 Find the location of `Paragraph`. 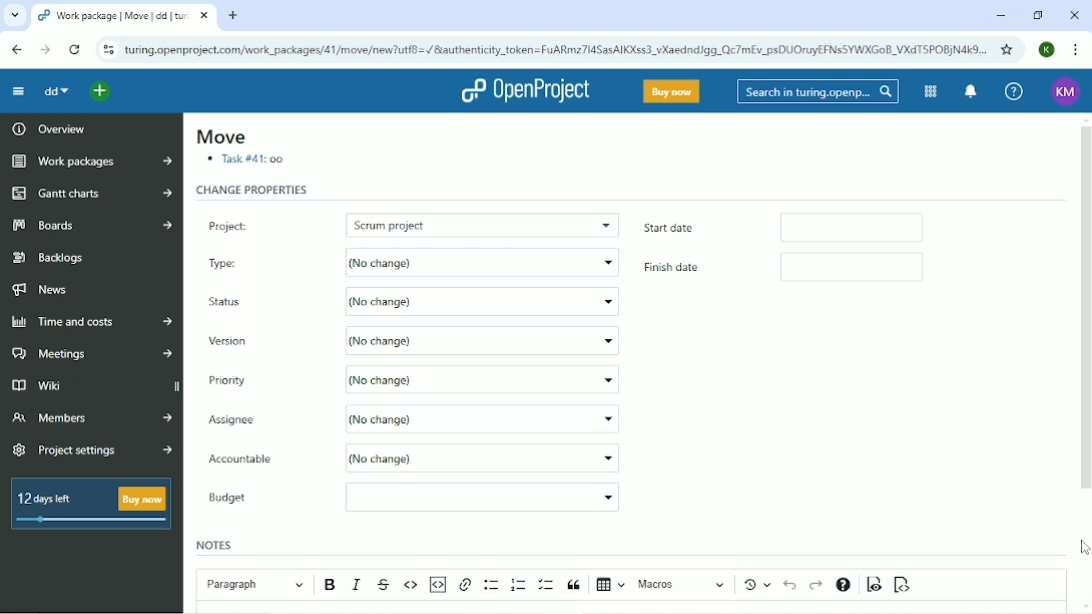

Paragraph is located at coordinates (254, 582).